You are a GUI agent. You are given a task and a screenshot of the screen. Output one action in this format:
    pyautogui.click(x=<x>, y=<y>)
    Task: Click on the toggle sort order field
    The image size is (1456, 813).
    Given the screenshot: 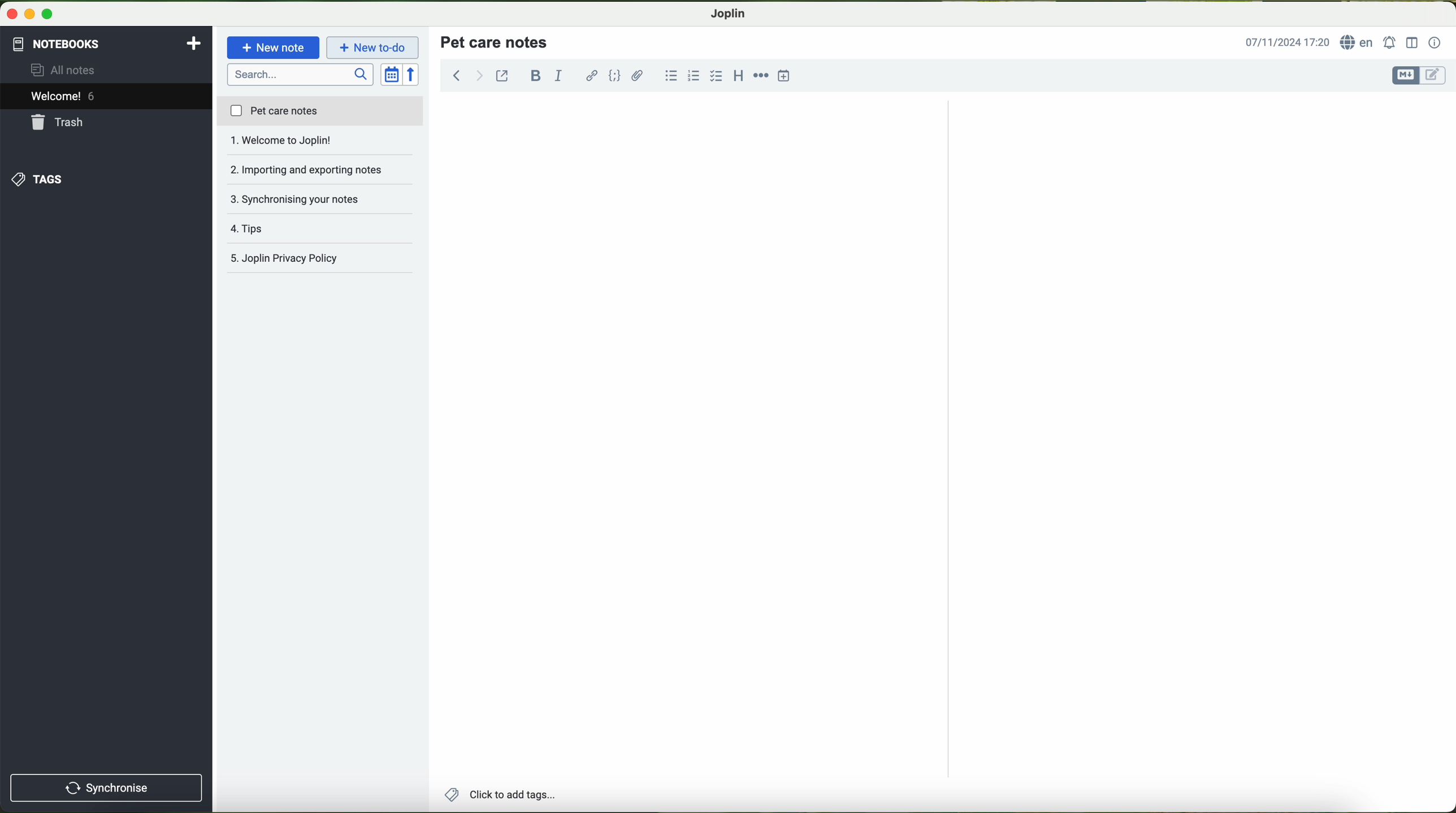 What is the action you would take?
    pyautogui.click(x=392, y=75)
    